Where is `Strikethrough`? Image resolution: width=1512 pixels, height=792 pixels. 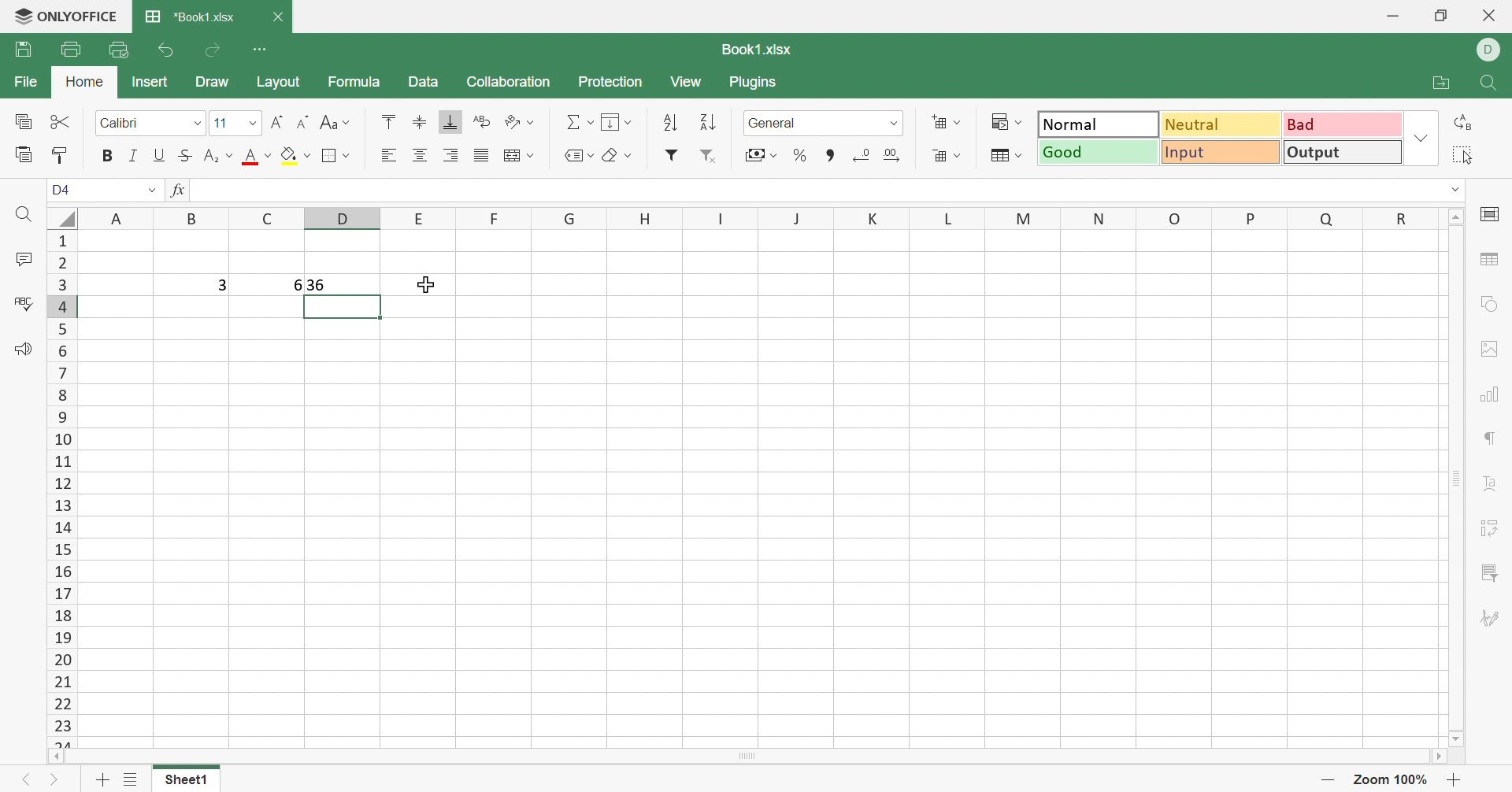 Strikethrough is located at coordinates (188, 156).